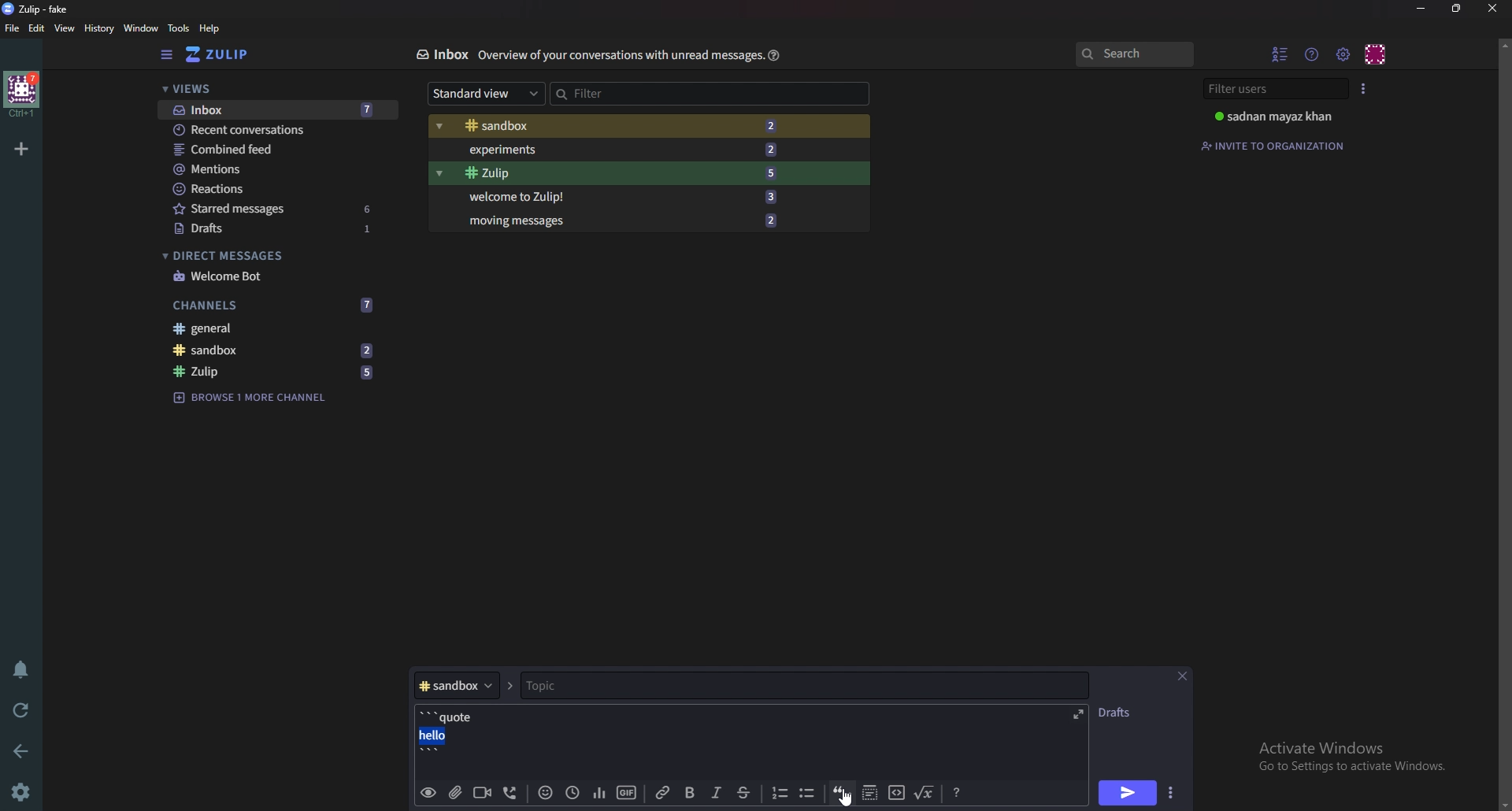  Describe the element at coordinates (896, 793) in the screenshot. I see `Code` at that location.